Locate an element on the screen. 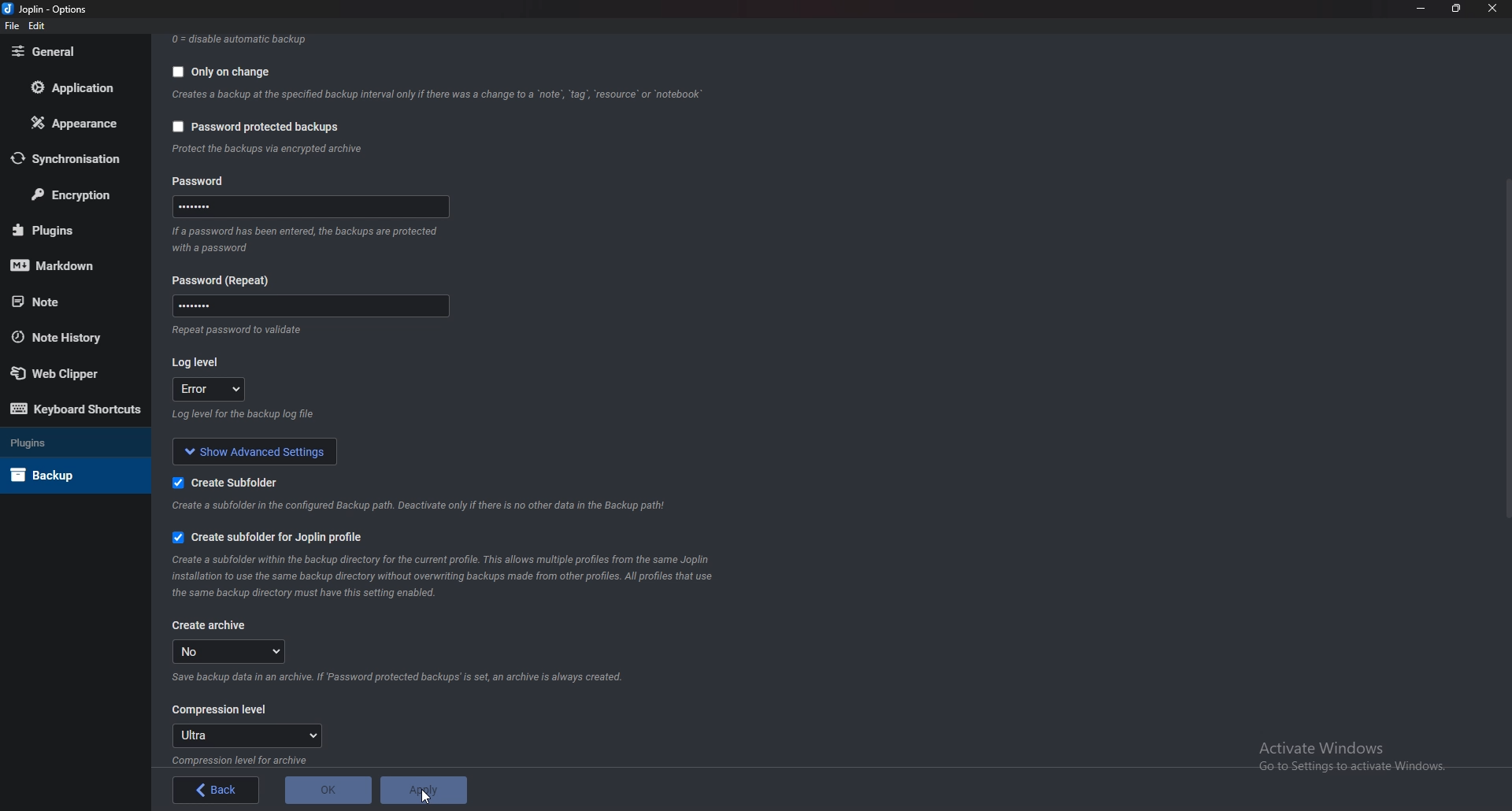 The width and height of the screenshot is (1512, 811). show advanced settings is located at coordinates (250, 450).